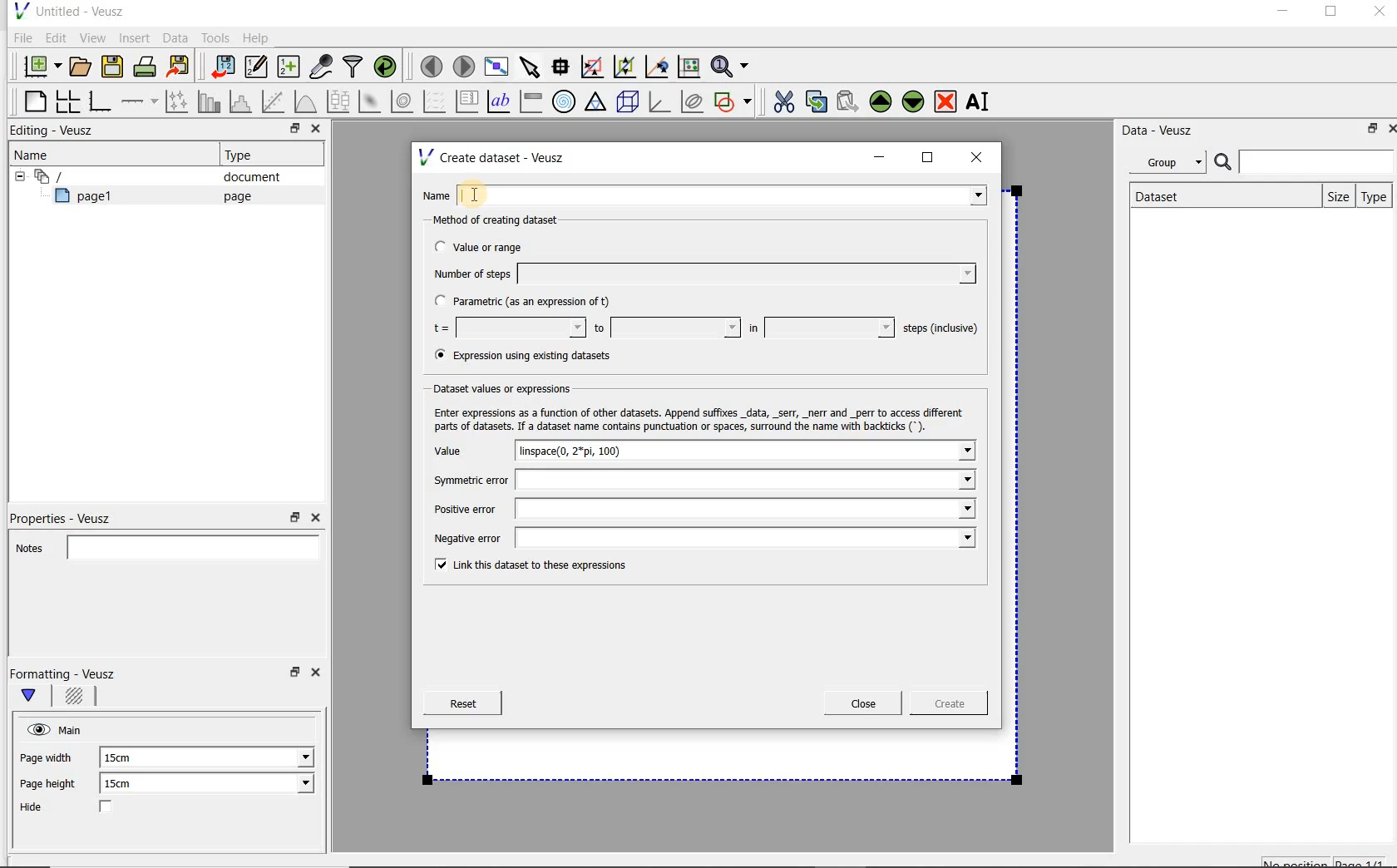  I want to click on Name, so click(37, 154).